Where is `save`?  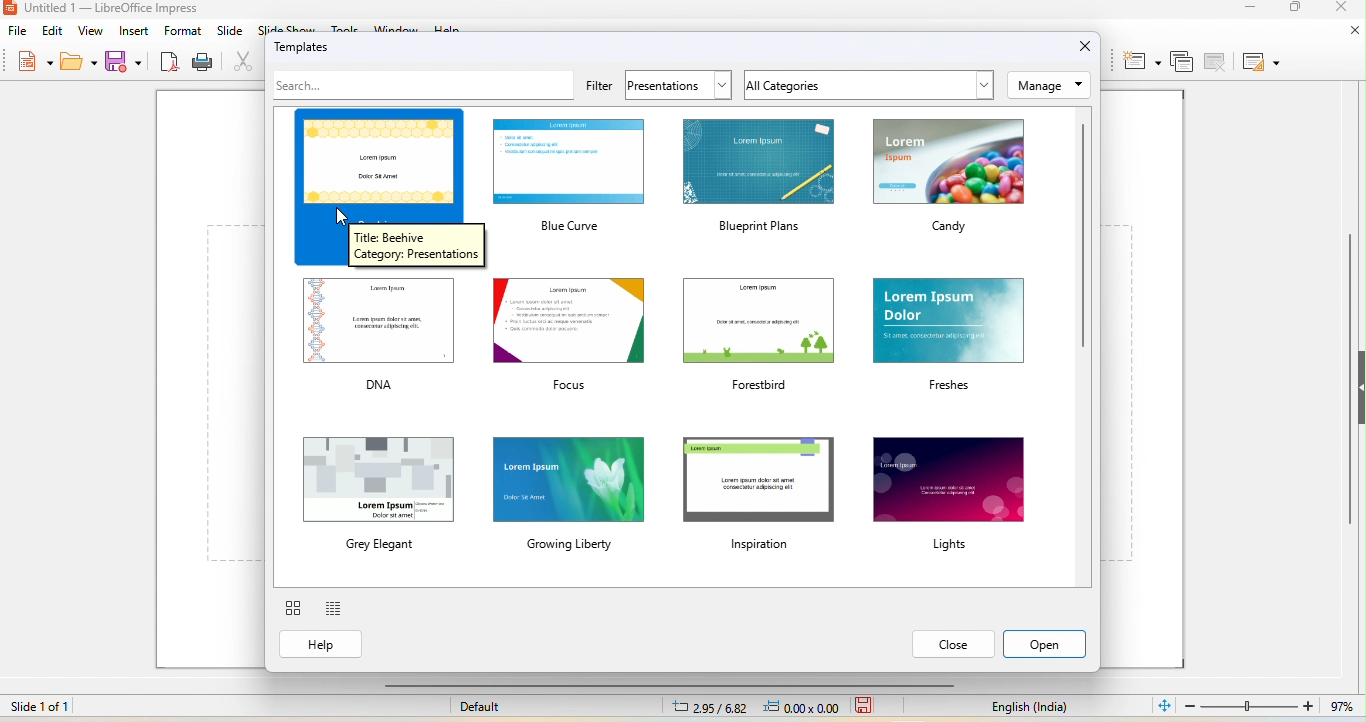
save is located at coordinates (866, 706).